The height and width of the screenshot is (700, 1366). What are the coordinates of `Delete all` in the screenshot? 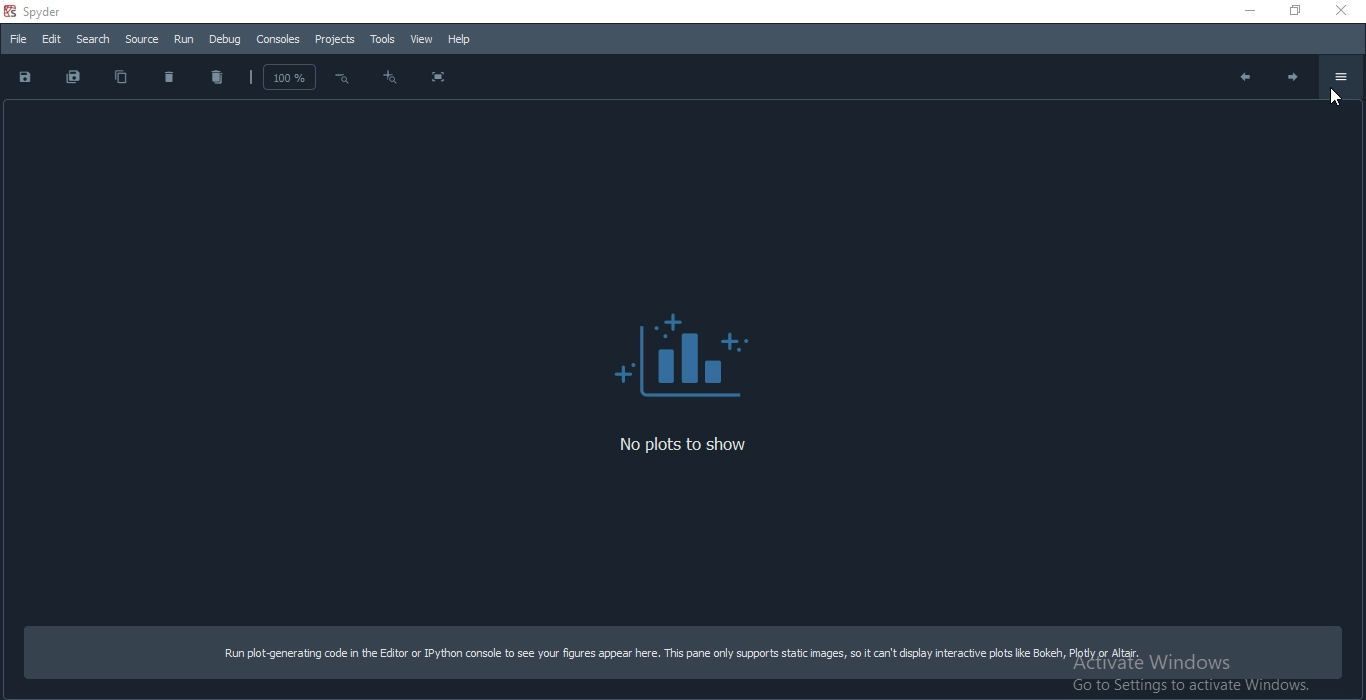 It's located at (216, 79).